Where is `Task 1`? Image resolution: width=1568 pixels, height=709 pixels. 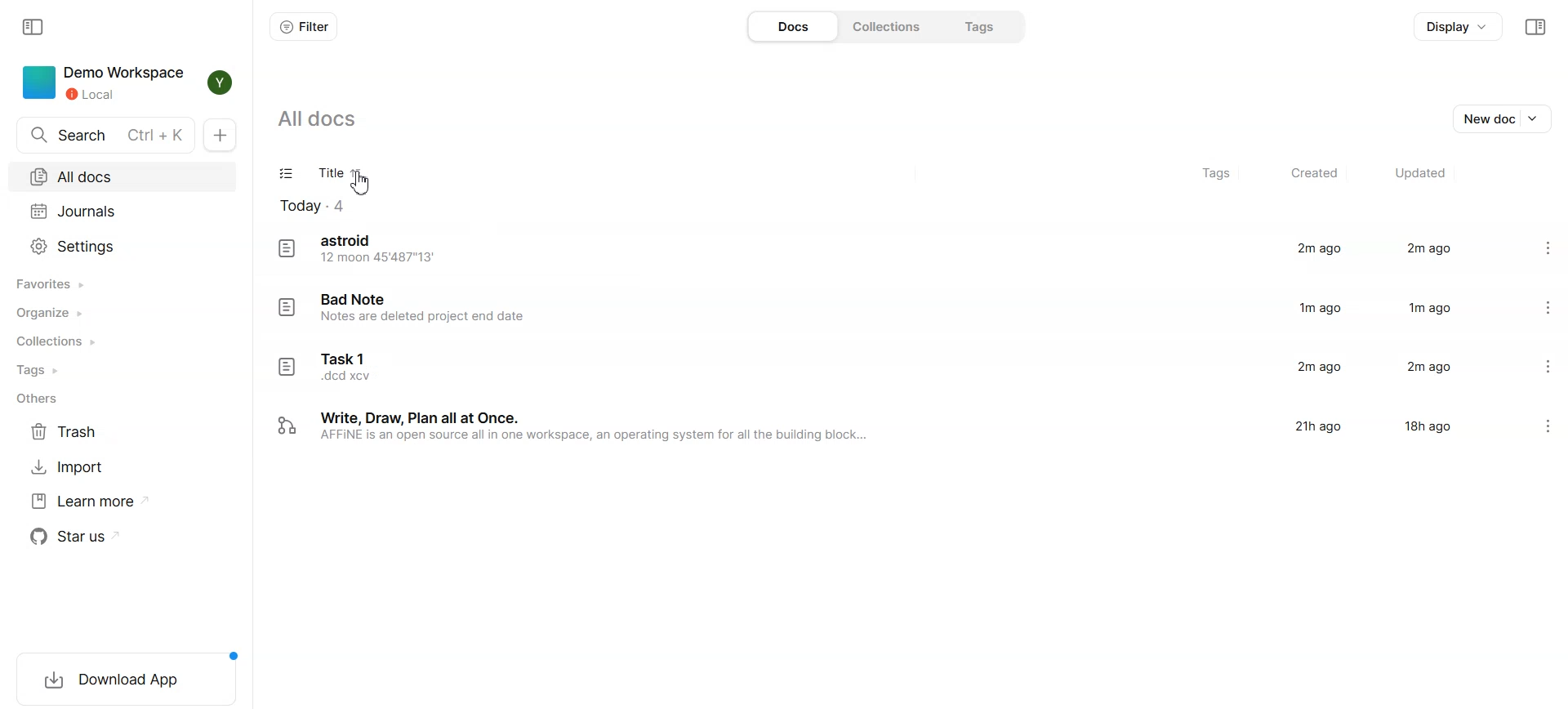 Task 1 is located at coordinates (344, 358).